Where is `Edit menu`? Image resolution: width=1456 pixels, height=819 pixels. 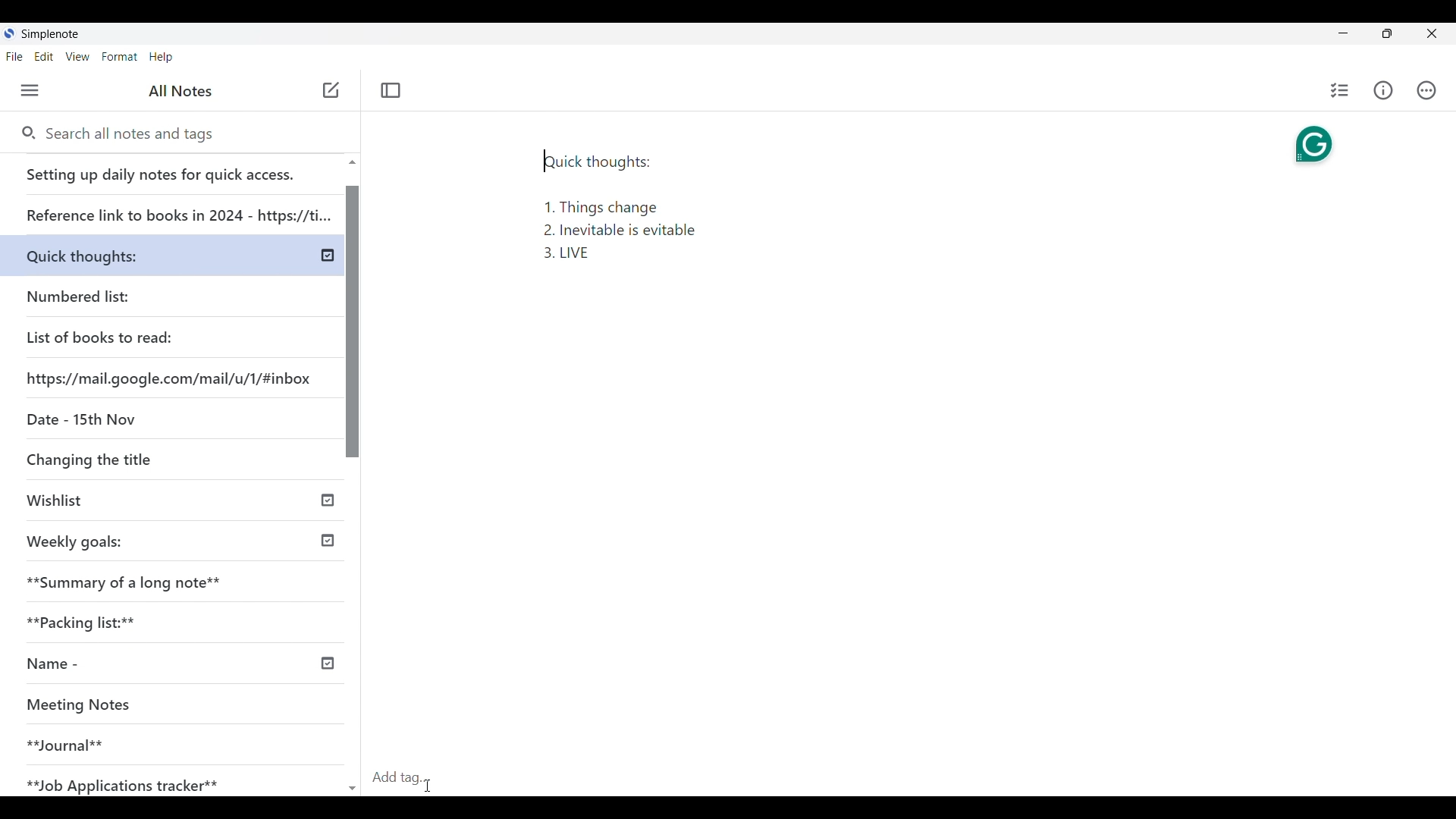
Edit menu is located at coordinates (44, 57).